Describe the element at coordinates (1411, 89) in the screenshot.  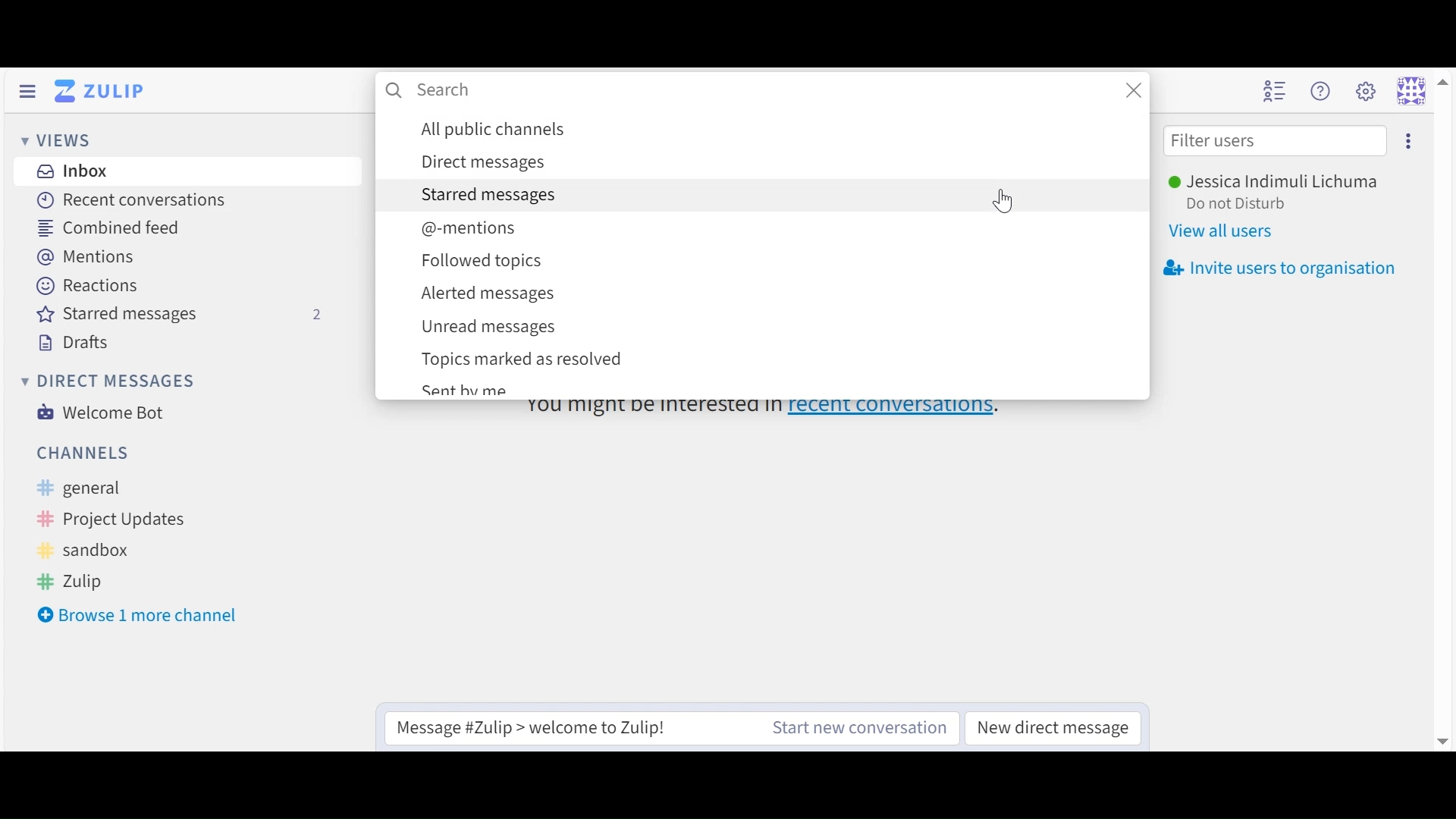
I see `Personal menu` at that location.